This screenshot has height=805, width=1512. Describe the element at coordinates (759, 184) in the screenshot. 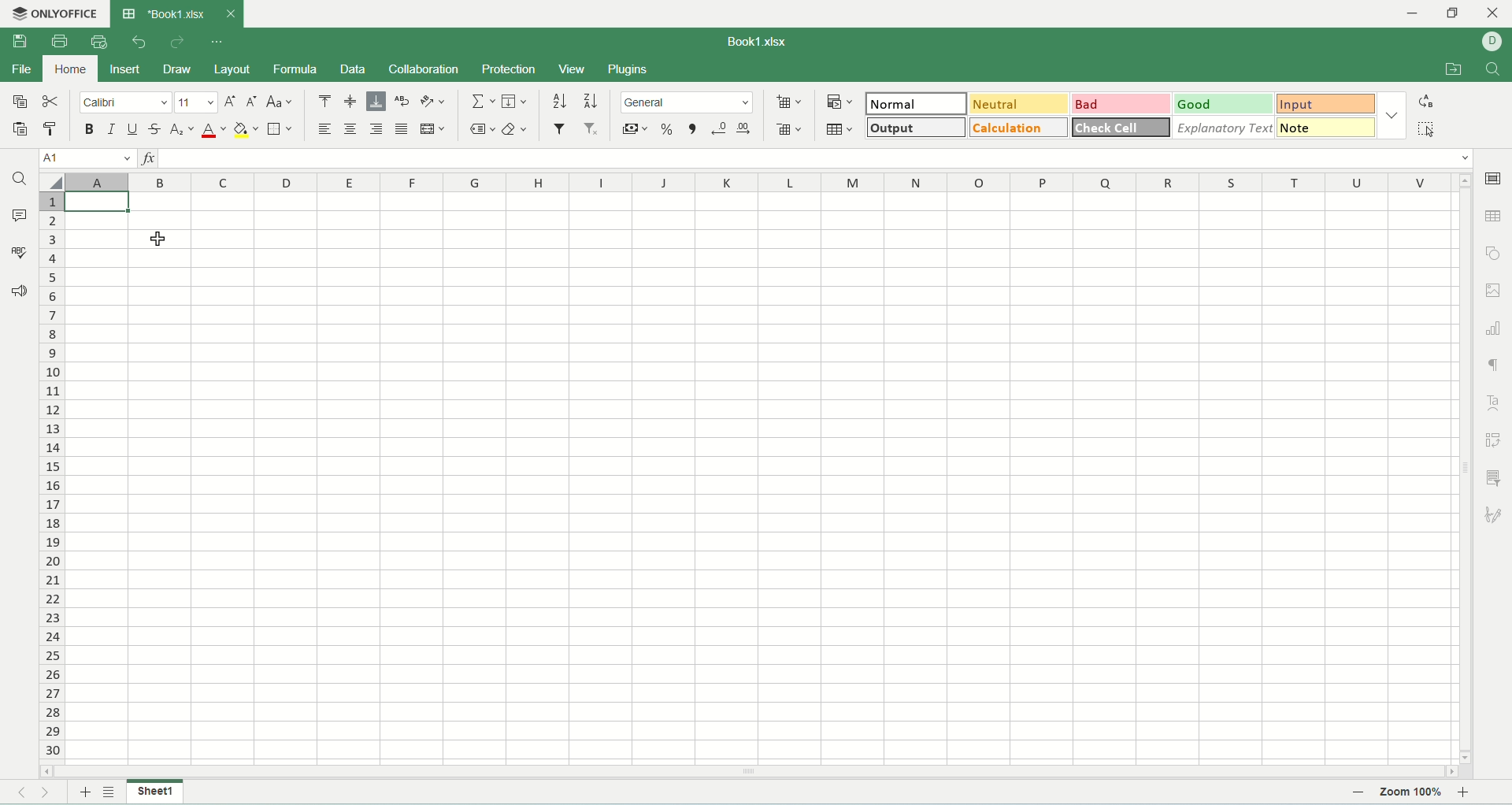

I see `column name` at that location.